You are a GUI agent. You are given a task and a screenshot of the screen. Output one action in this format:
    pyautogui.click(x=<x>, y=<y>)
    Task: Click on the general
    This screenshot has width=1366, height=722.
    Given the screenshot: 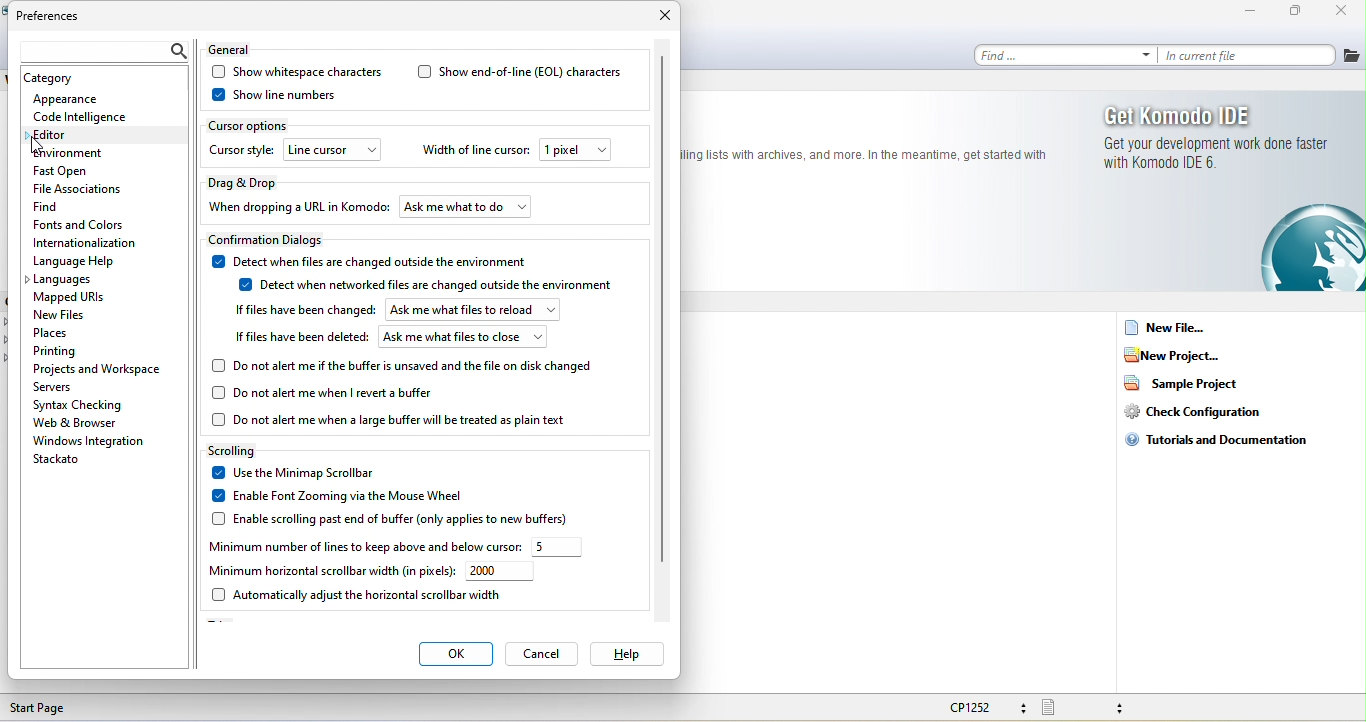 What is the action you would take?
    pyautogui.click(x=237, y=47)
    